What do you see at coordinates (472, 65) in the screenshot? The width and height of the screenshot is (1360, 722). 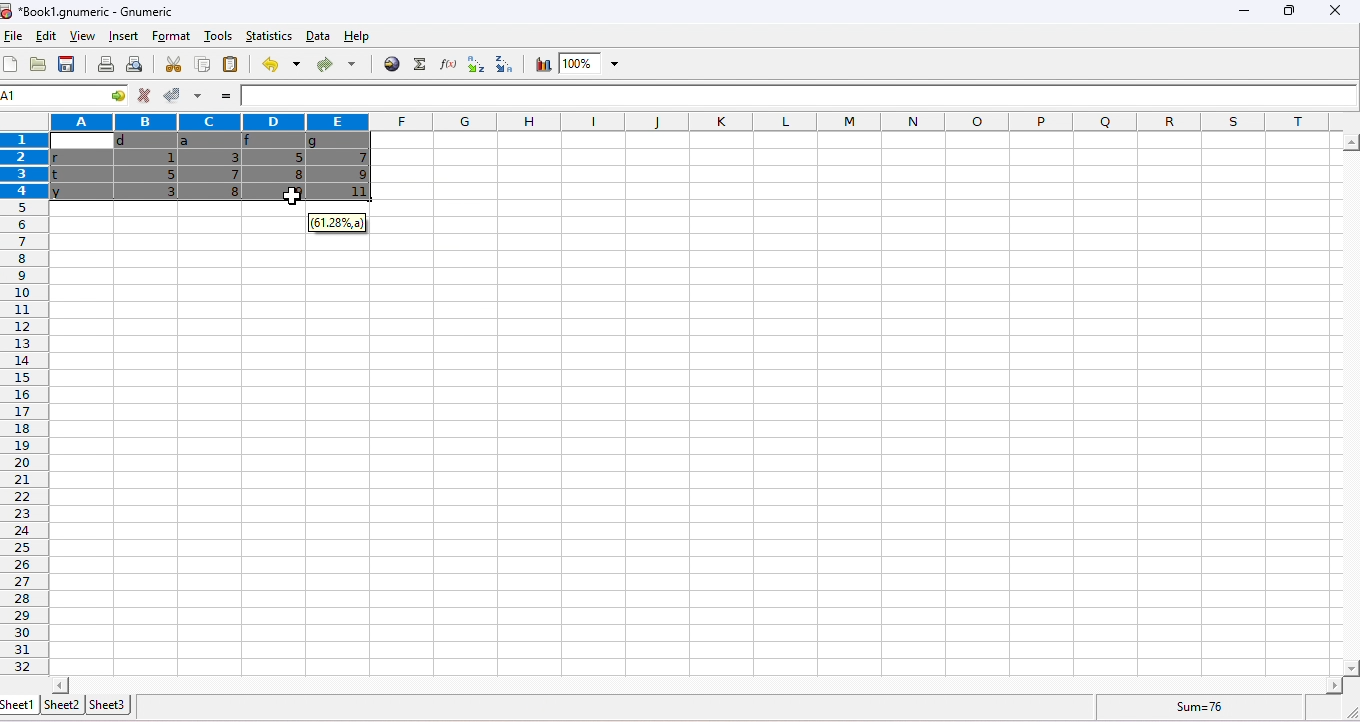 I see `sort ascending` at bounding box center [472, 65].